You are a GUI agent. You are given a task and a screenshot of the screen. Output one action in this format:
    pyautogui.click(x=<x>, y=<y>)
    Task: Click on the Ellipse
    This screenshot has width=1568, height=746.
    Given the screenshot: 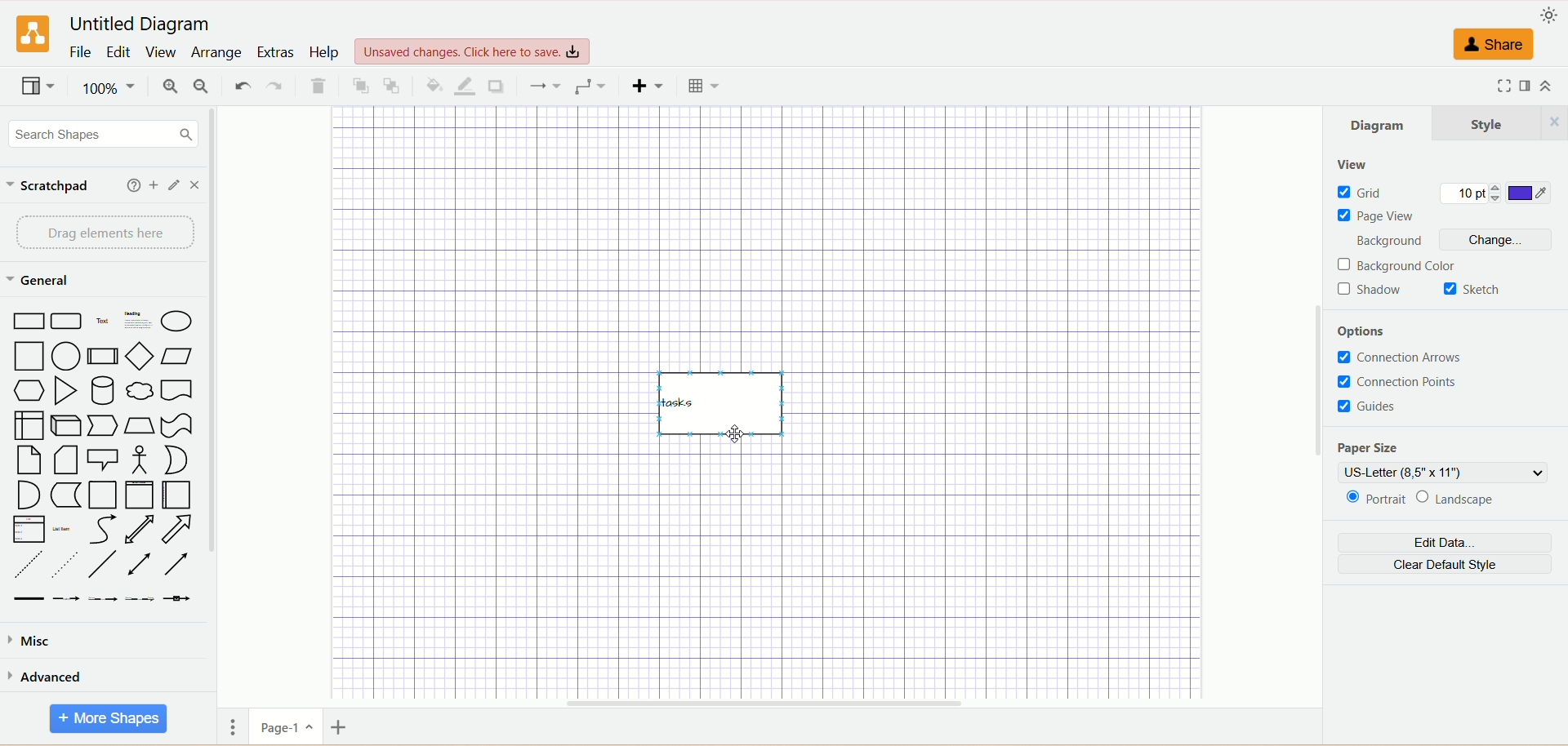 What is the action you would take?
    pyautogui.click(x=177, y=322)
    